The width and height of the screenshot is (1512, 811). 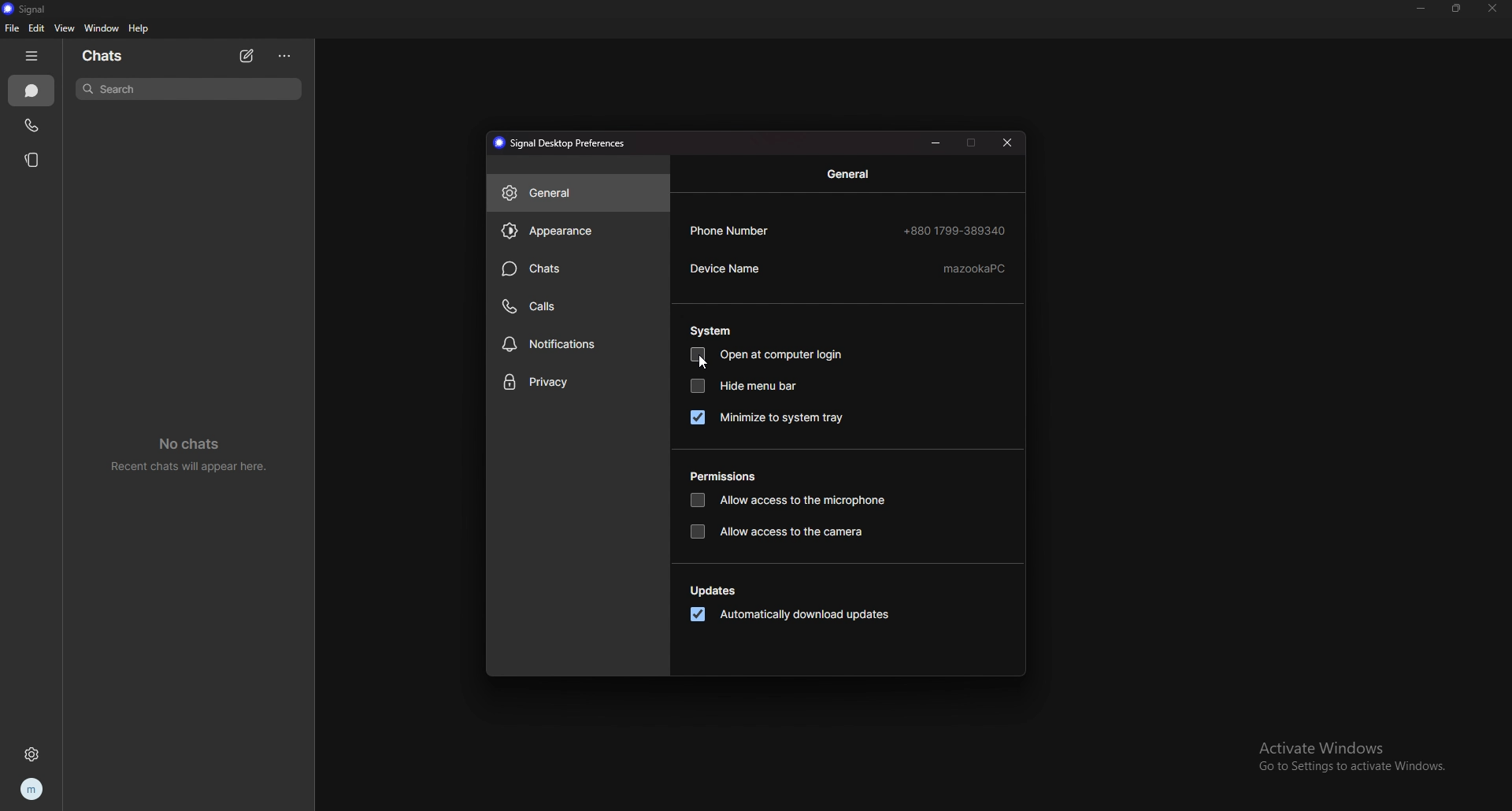 What do you see at coordinates (1007, 143) in the screenshot?
I see `close` at bounding box center [1007, 143].